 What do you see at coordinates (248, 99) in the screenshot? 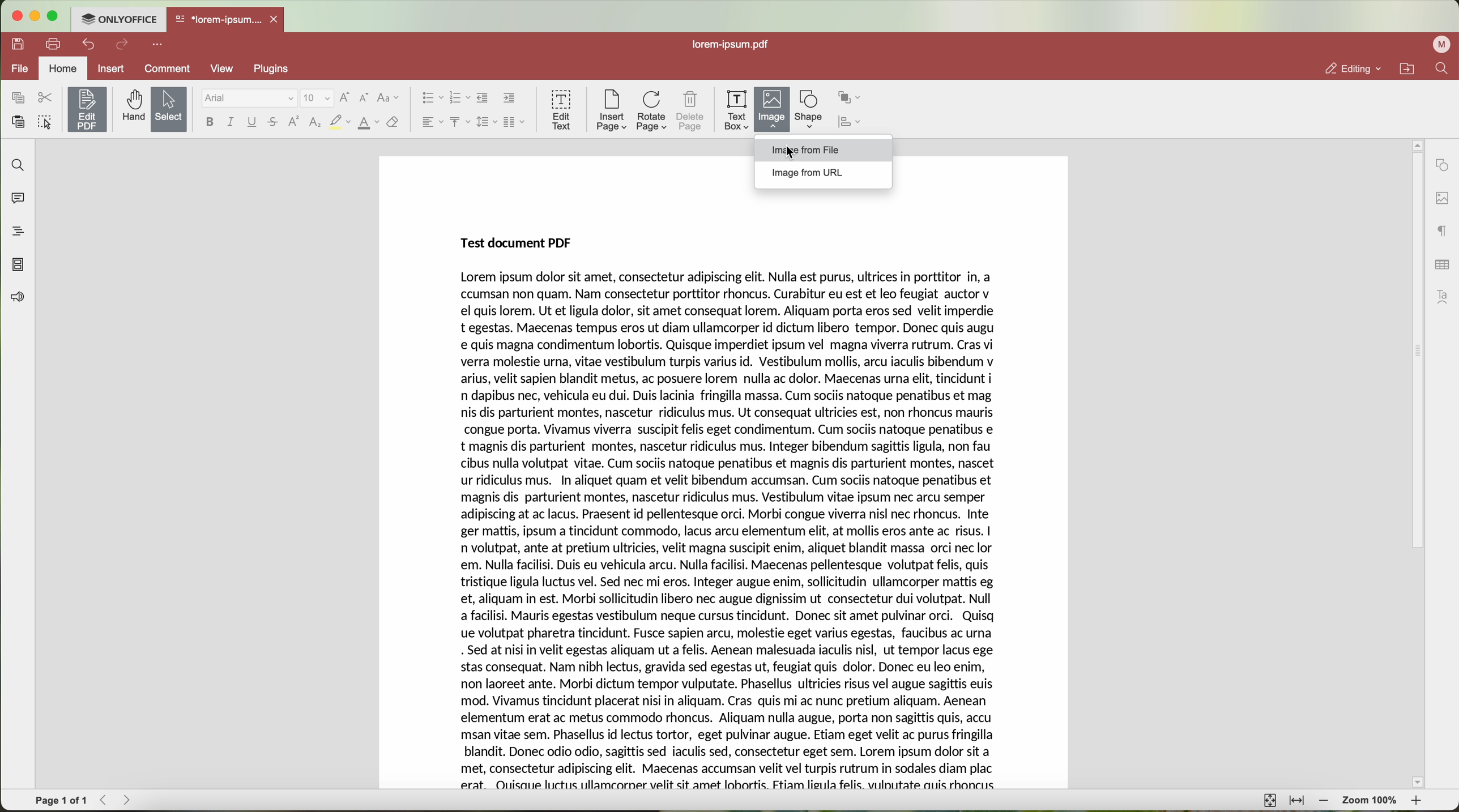
I see `Arial` at bounding box center [248, 99].